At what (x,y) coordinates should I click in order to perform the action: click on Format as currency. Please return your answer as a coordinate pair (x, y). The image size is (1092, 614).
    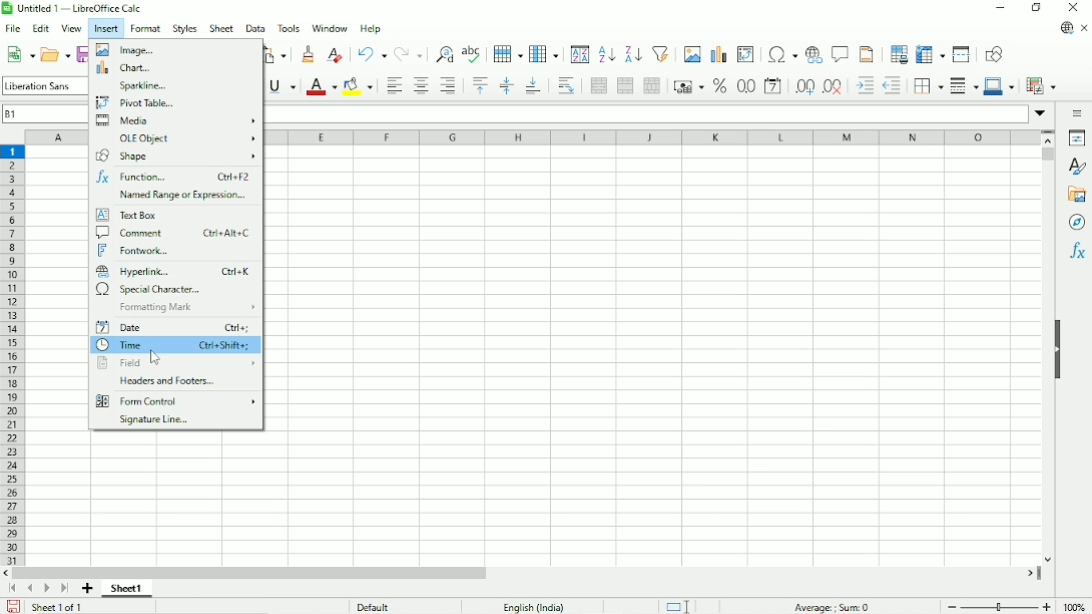
    Looking at the image, I should click on (688, 86).